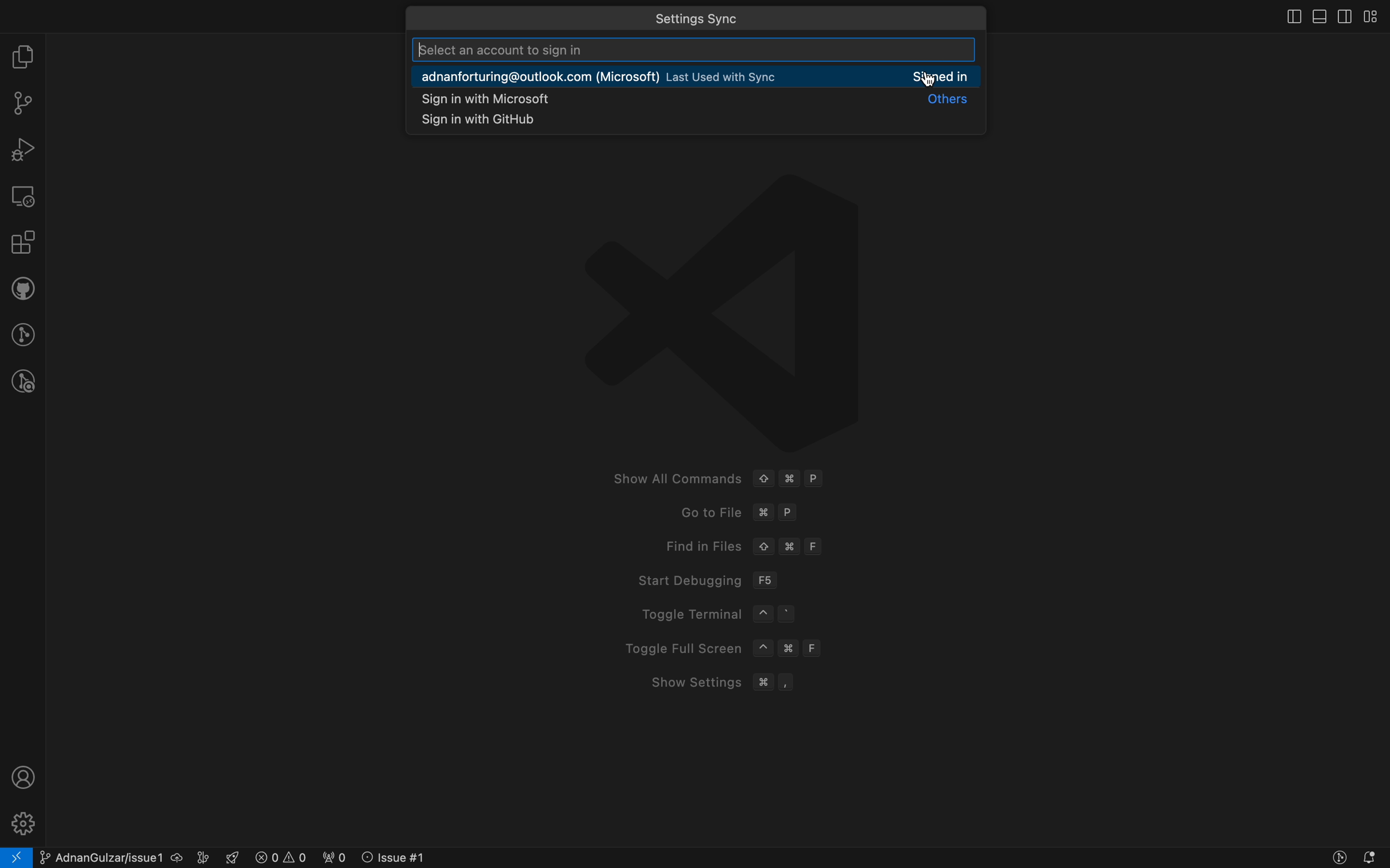  Describe the element at coordinates (701, 75) in the screenshot. I see `connected account` at that location.